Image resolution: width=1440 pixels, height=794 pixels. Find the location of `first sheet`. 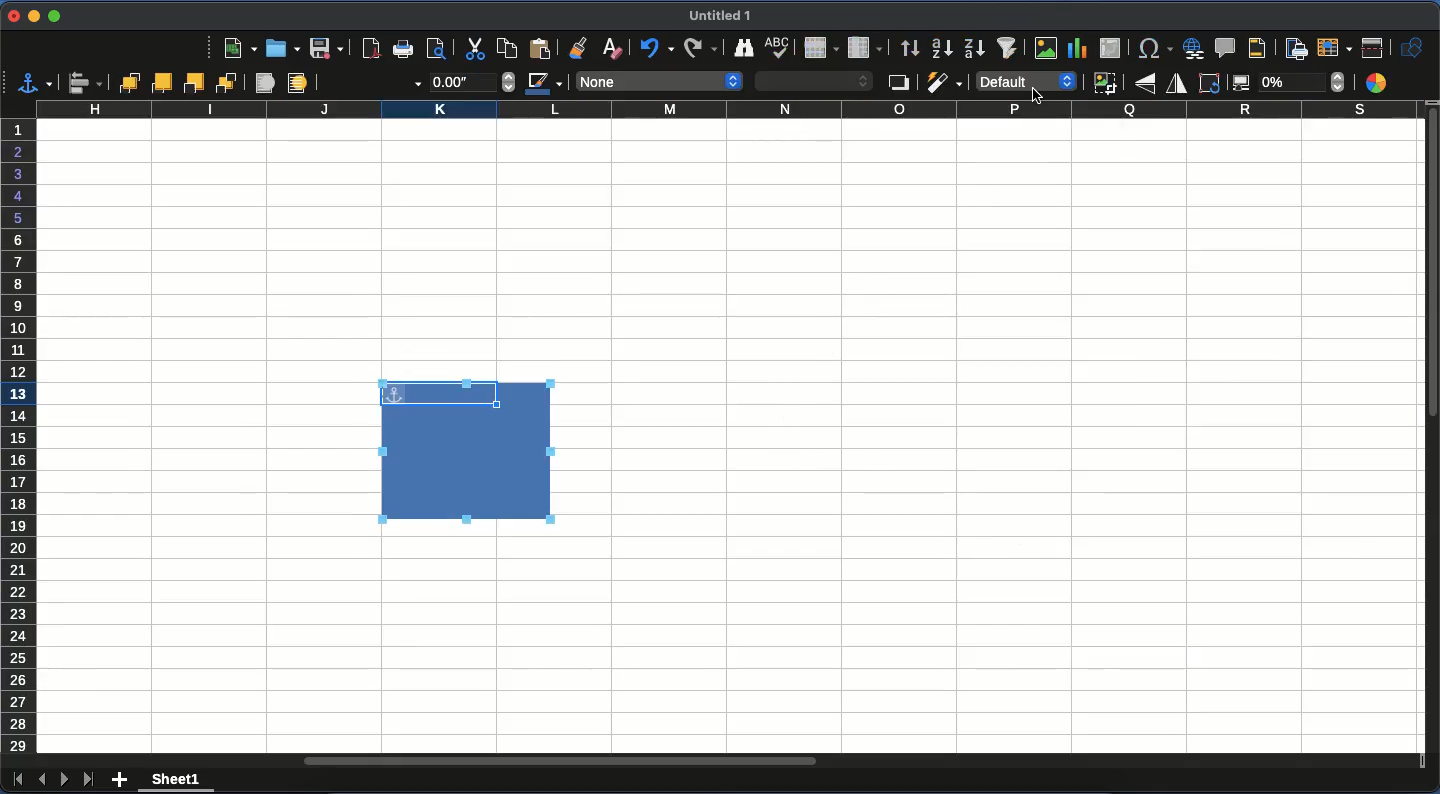

first sheet is located at coordinates (17, 783).